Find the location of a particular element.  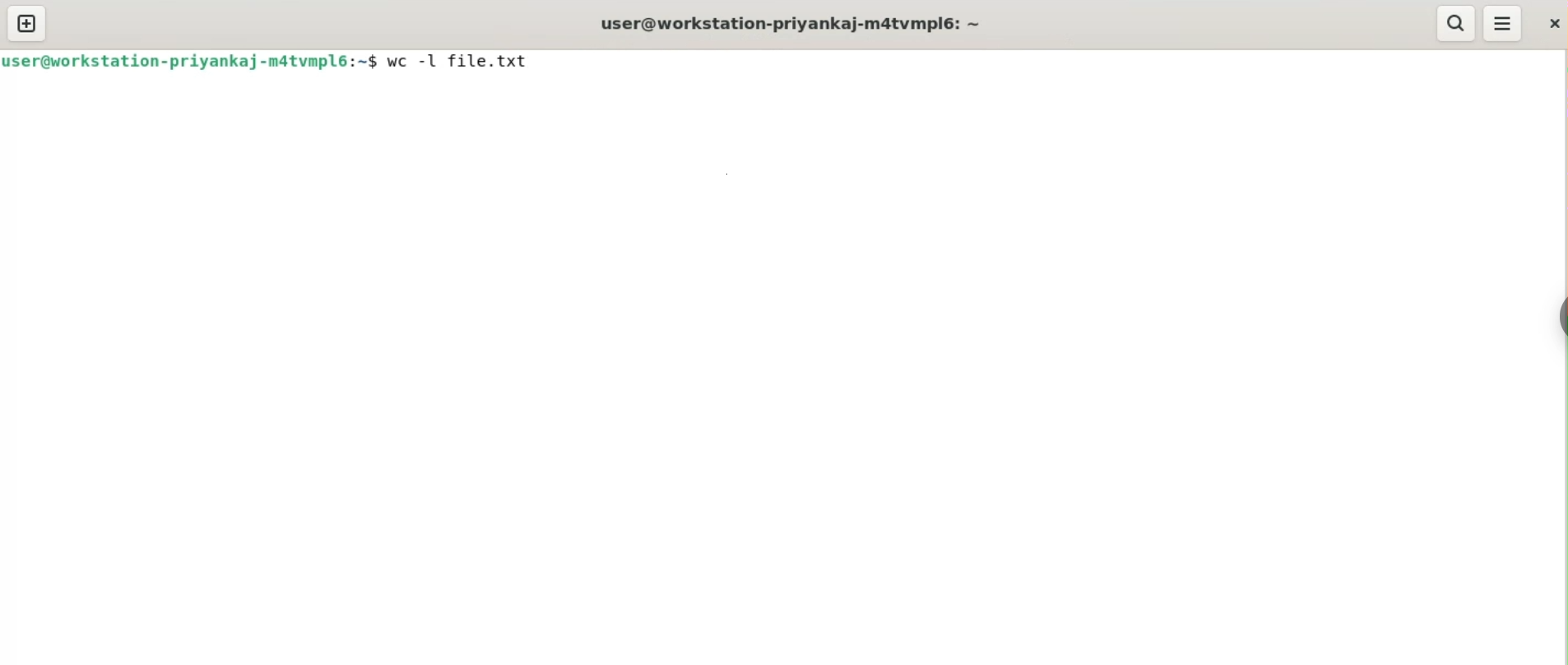

user@workstation-priyankaj-m4tvmpl6: ~ is located at coordinates (791, 23).